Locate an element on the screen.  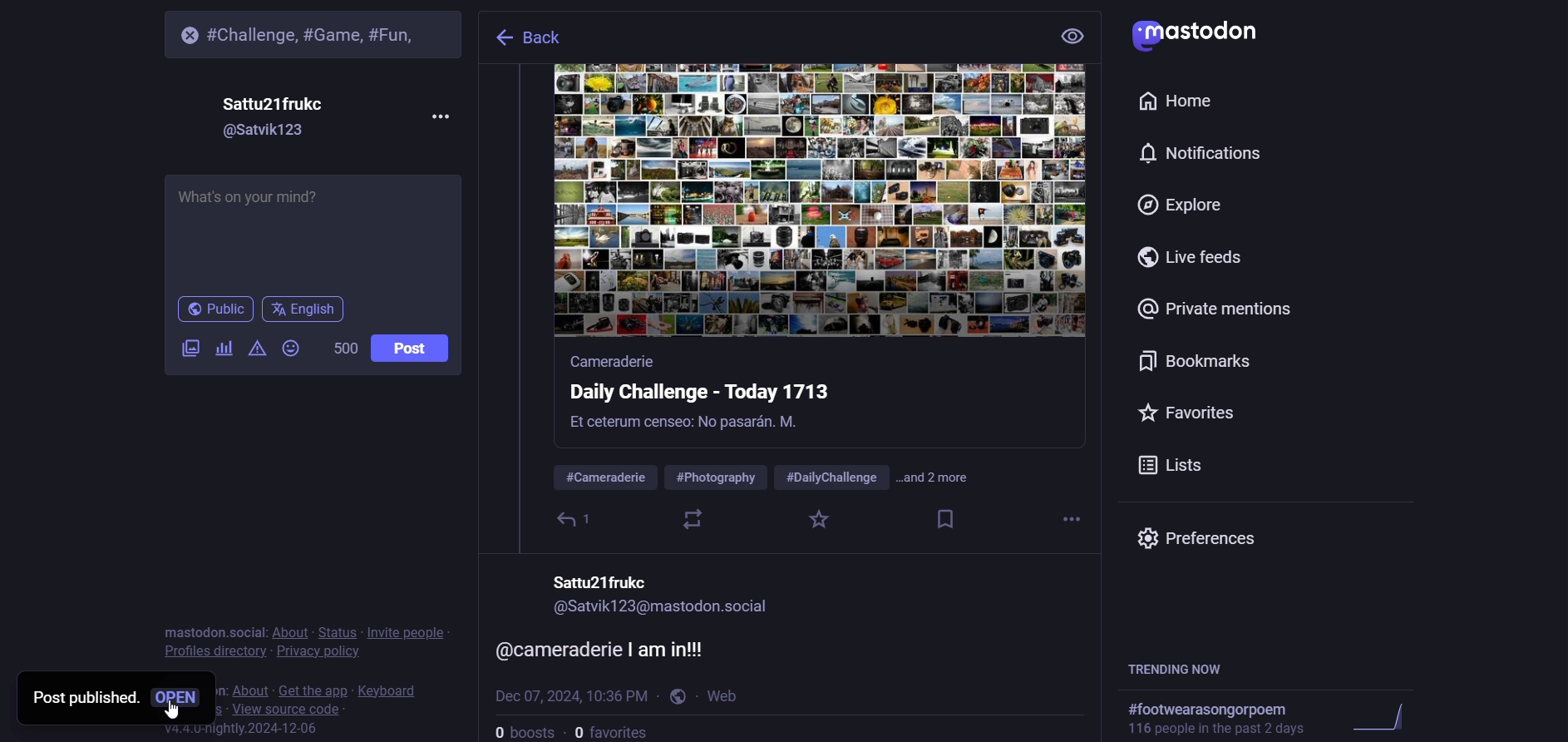
v4.4.0-nightly.2024-12-06 is located at coordinates (228, 730).